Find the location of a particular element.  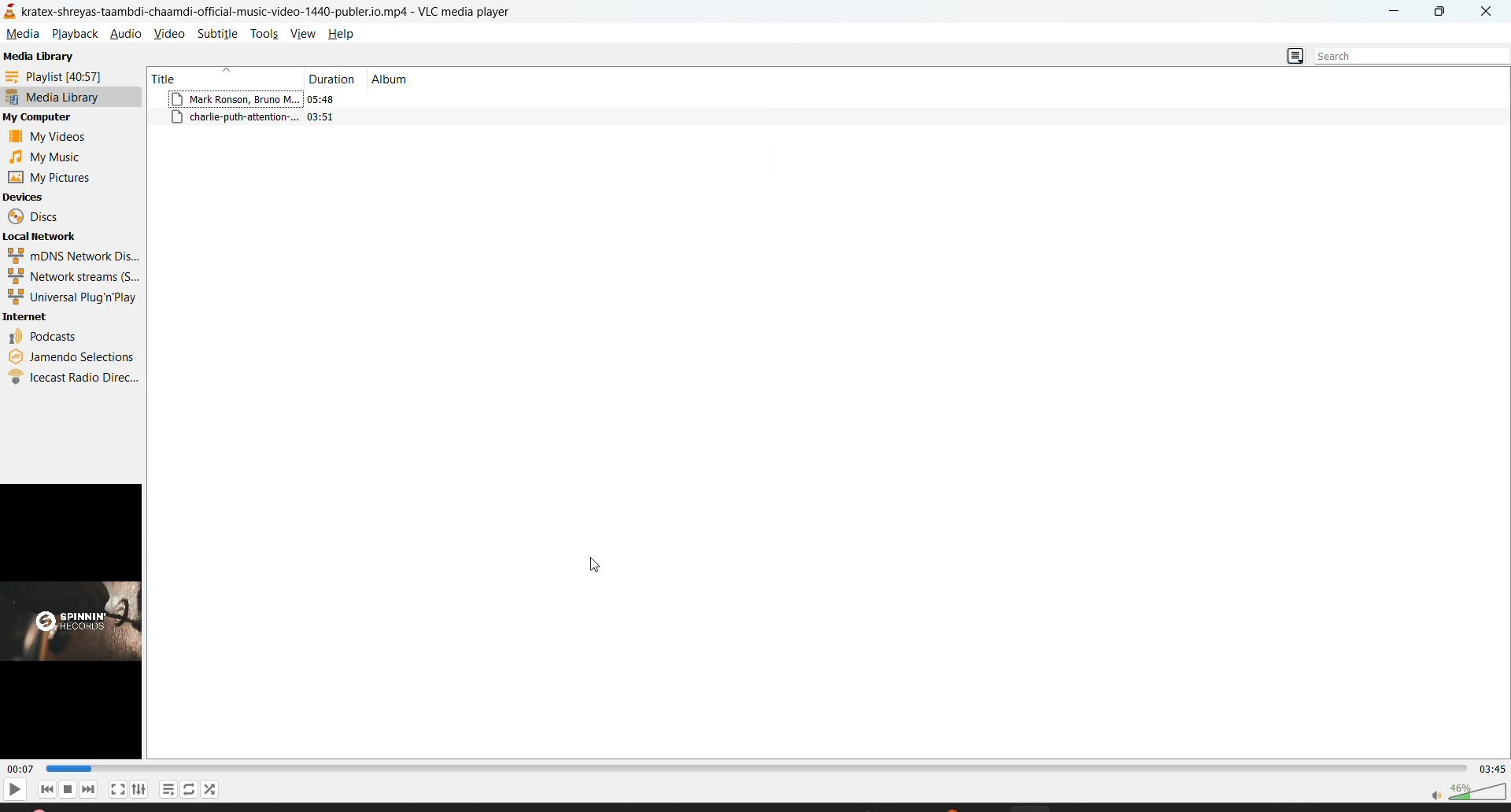

pictures is located at coordinates (54, 178).